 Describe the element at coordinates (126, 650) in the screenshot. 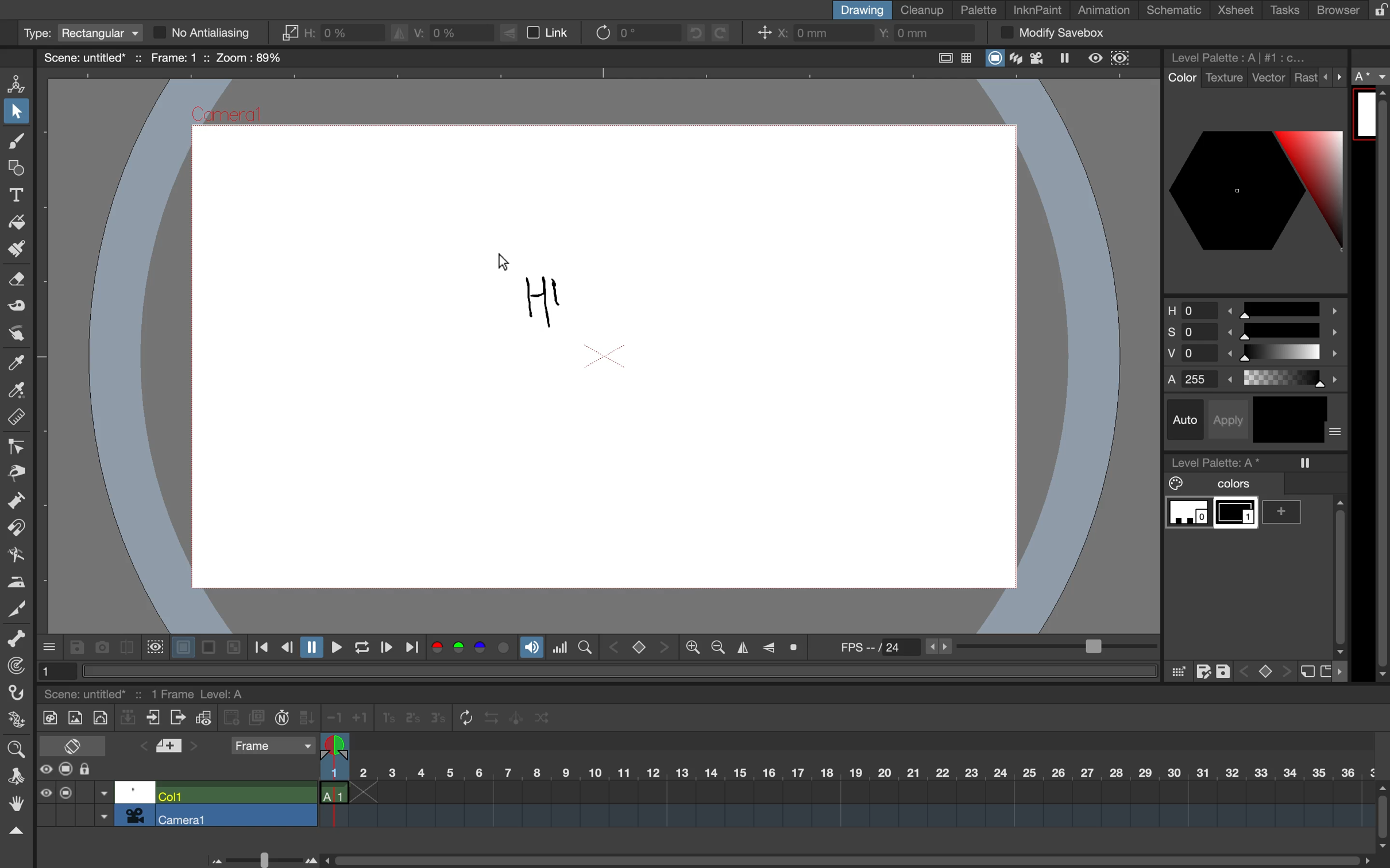

I see `compare to snapshot` at that location.